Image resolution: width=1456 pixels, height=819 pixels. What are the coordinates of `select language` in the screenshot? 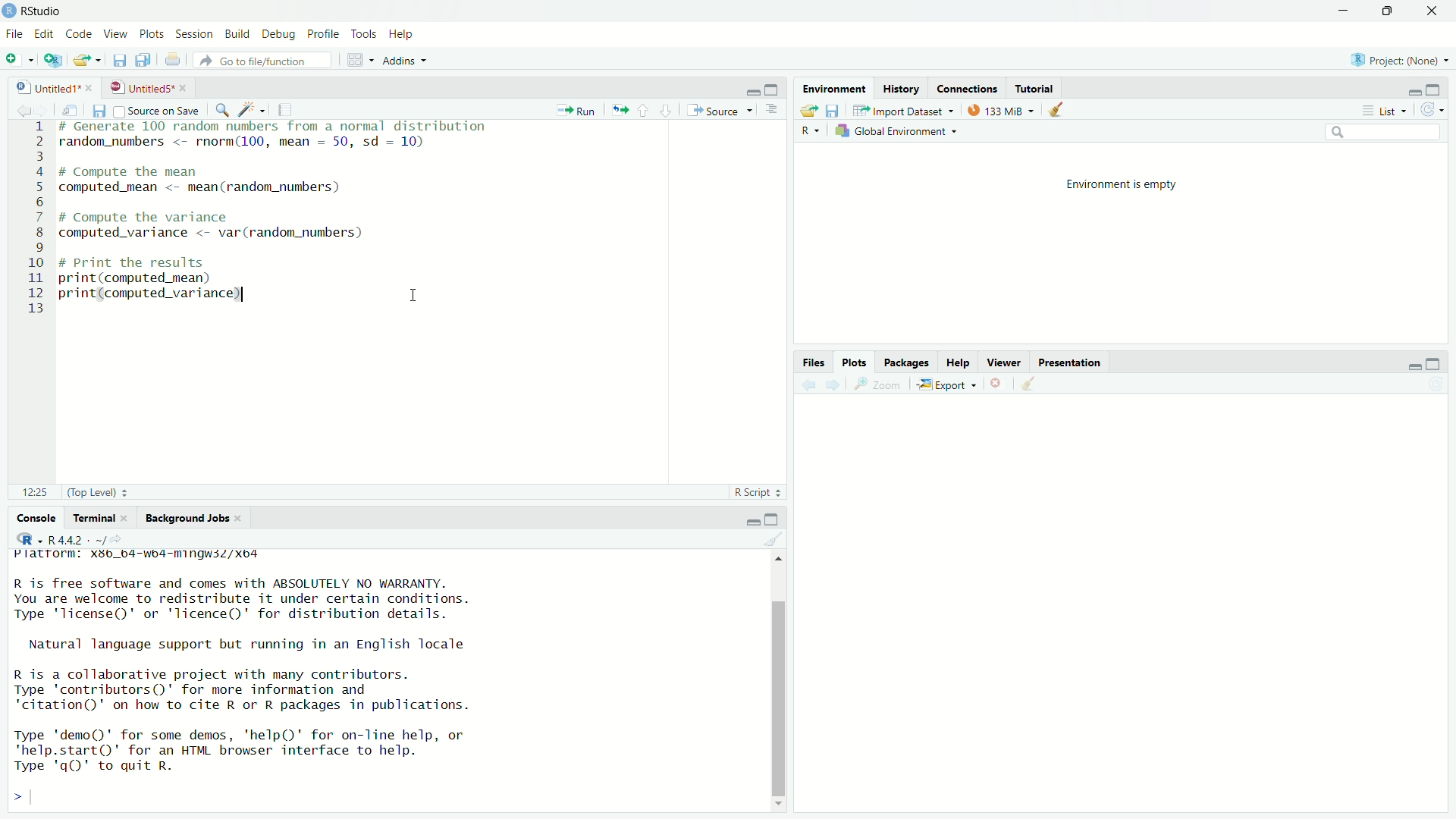 It's located at (808, 132).